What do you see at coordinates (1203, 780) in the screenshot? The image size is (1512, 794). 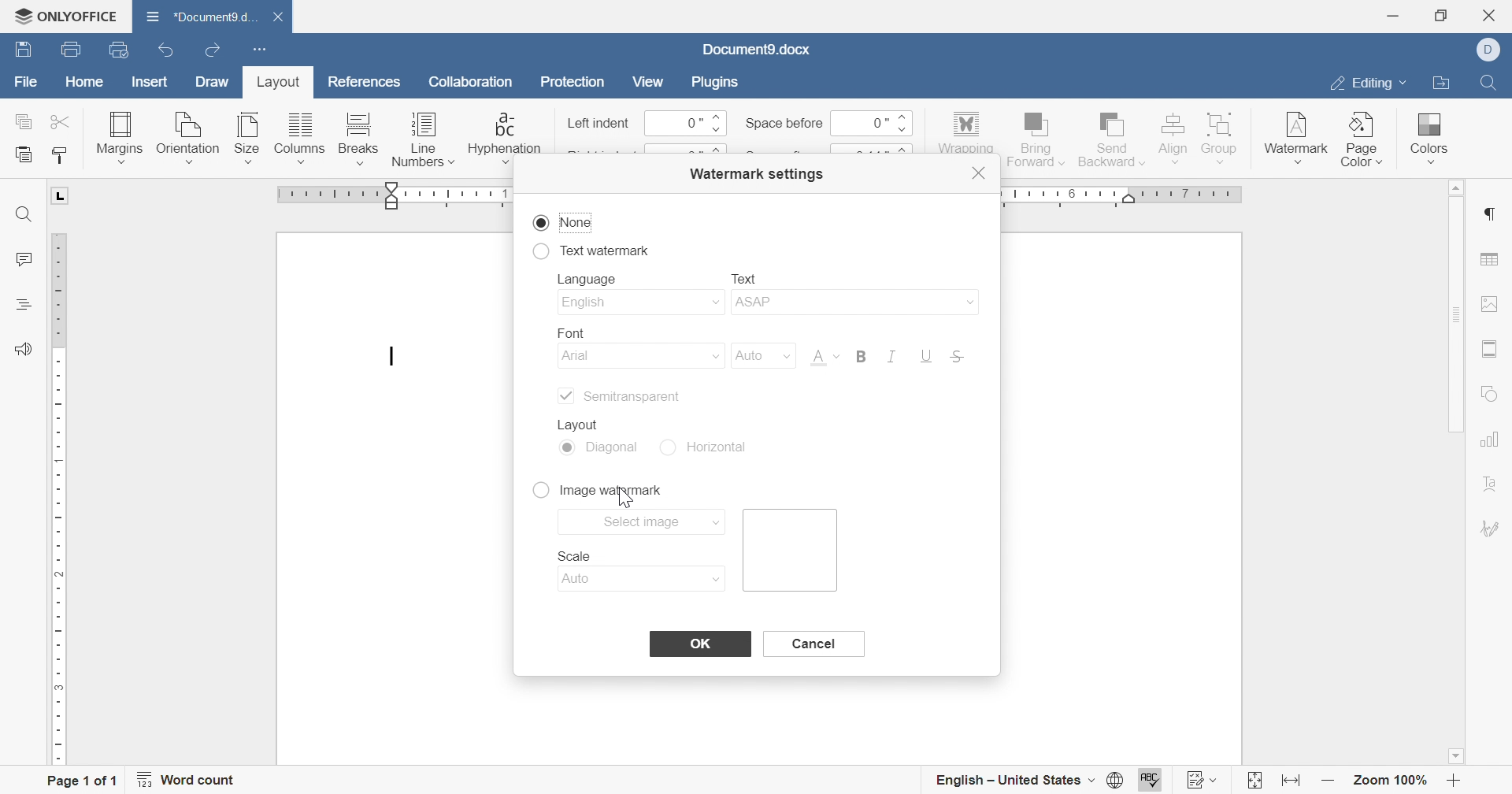 I see `track changes` at bounding box center [1203, 780].